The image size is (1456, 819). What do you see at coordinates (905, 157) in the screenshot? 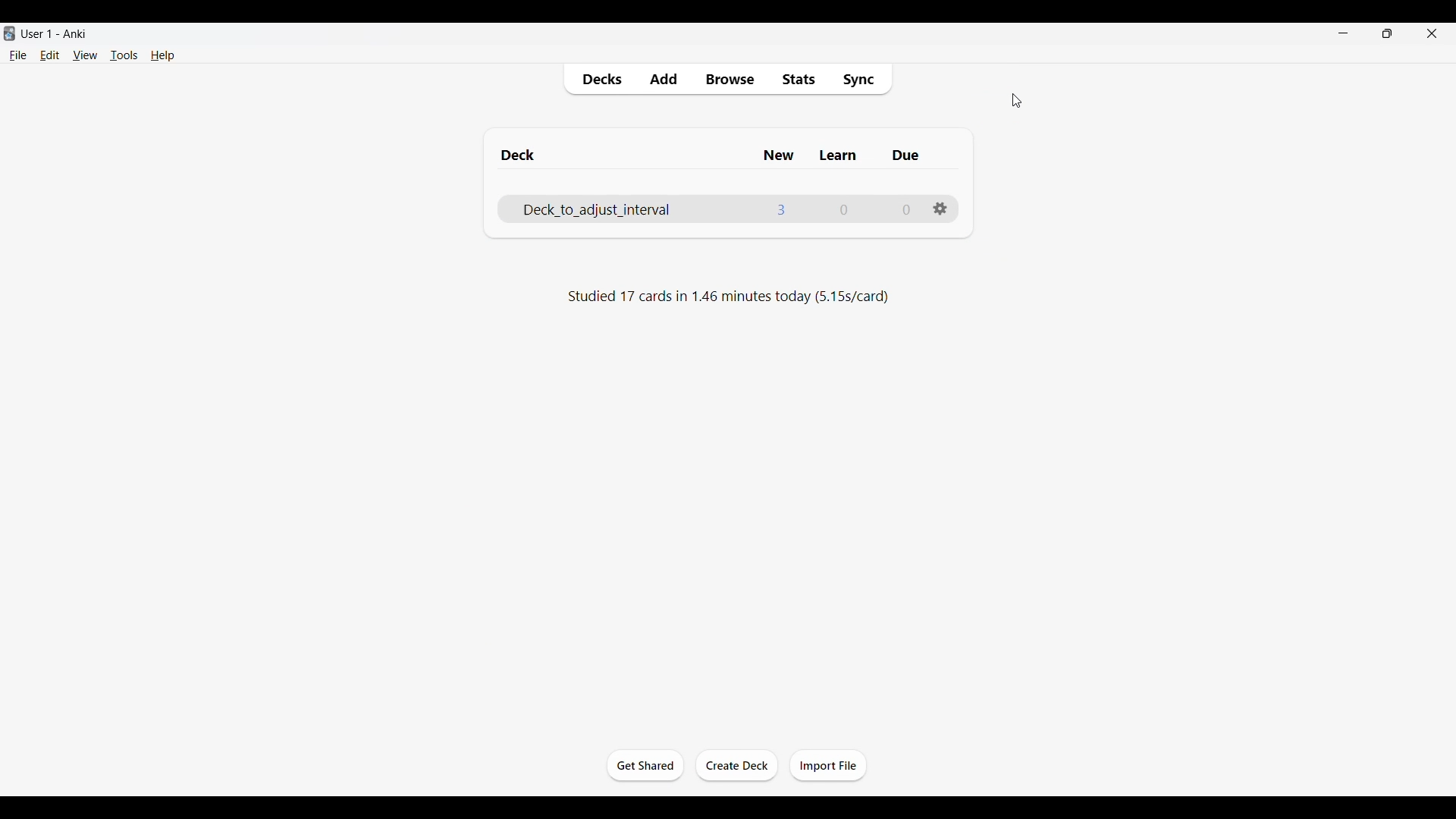
I see `Due column` at bounding box center [905, 157].